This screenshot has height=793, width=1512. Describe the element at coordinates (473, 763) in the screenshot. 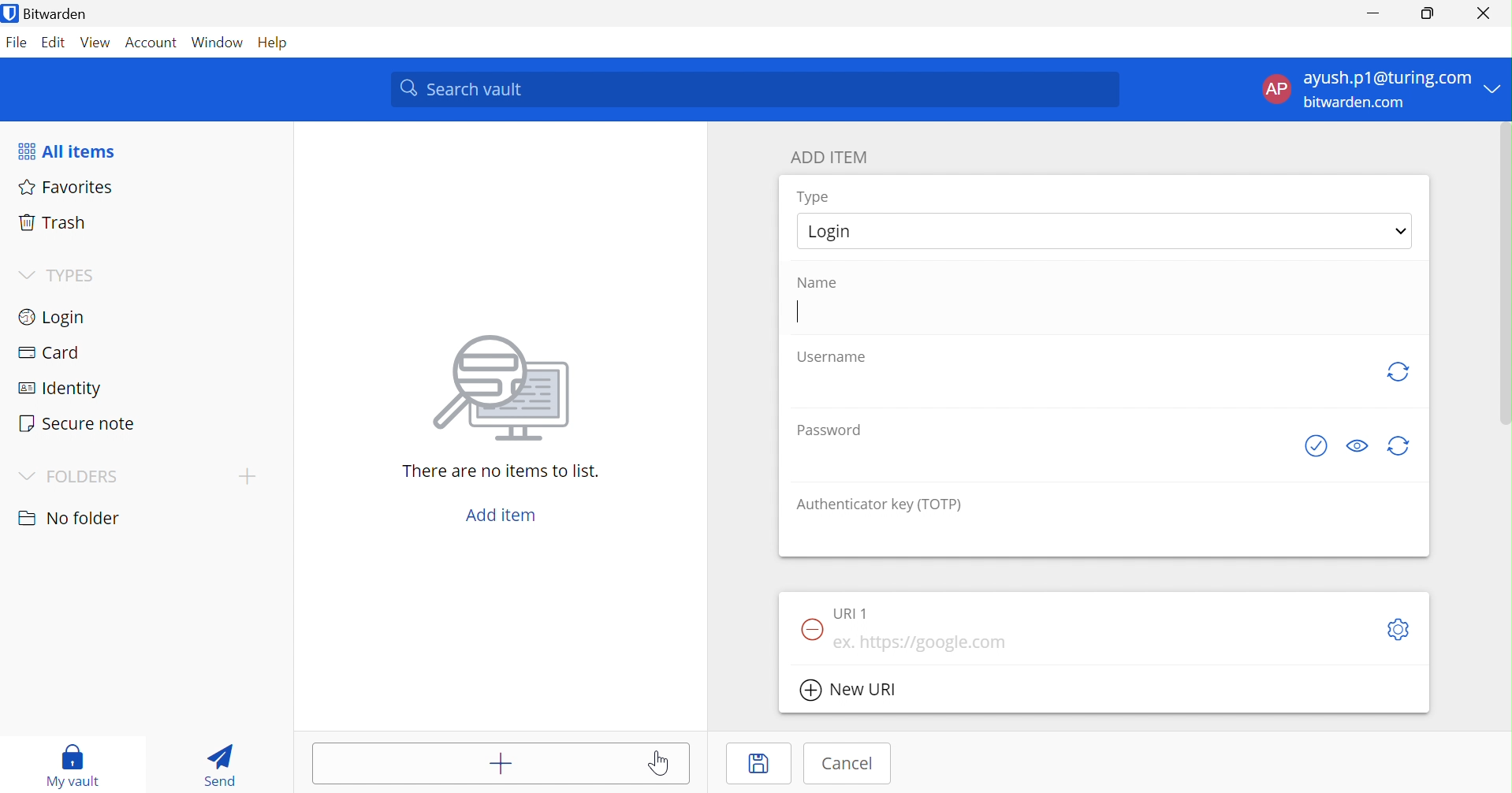

I see `Add item` at that location.